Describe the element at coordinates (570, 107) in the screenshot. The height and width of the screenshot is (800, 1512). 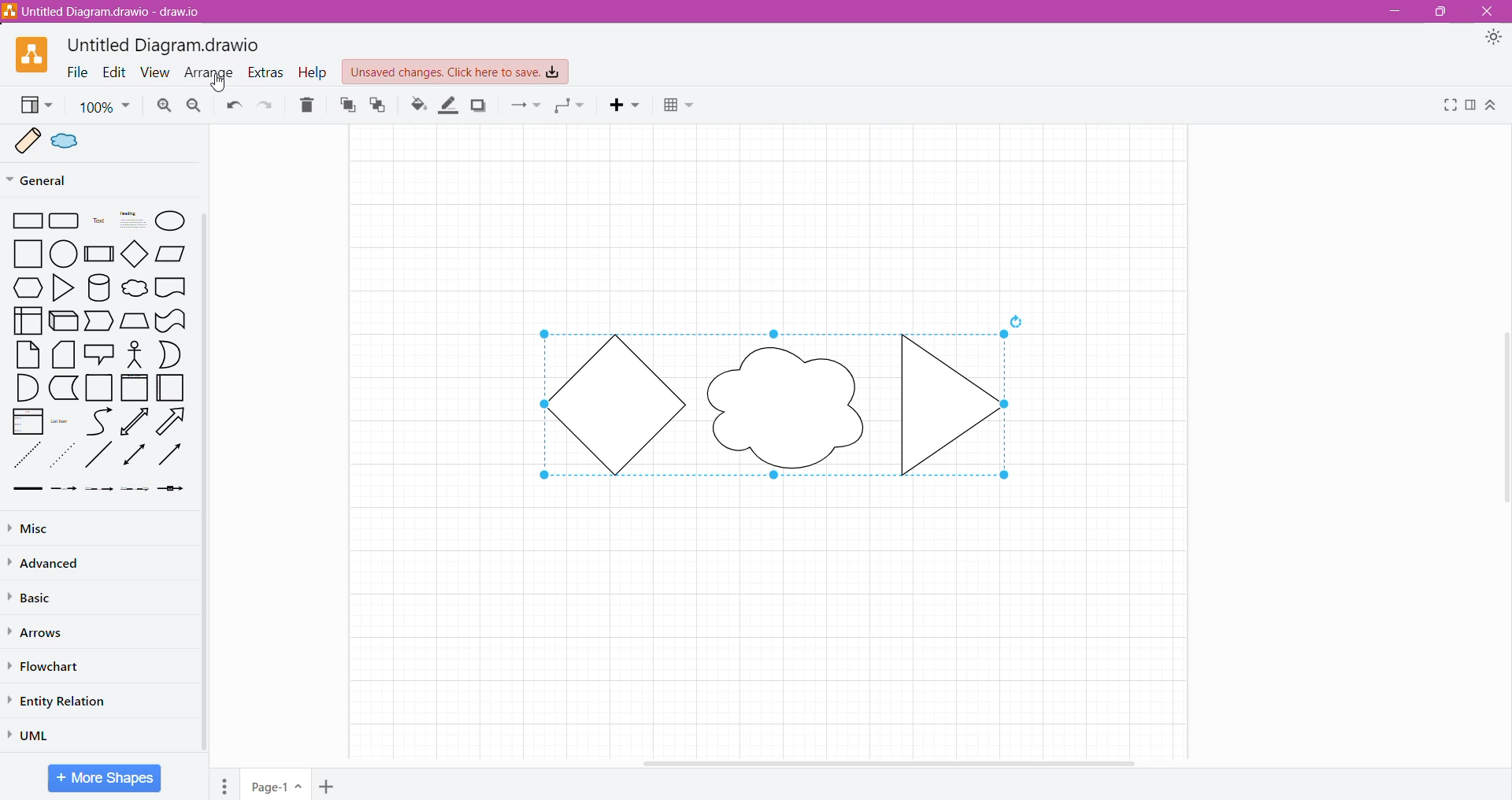
I see `Waypoints` at that location.